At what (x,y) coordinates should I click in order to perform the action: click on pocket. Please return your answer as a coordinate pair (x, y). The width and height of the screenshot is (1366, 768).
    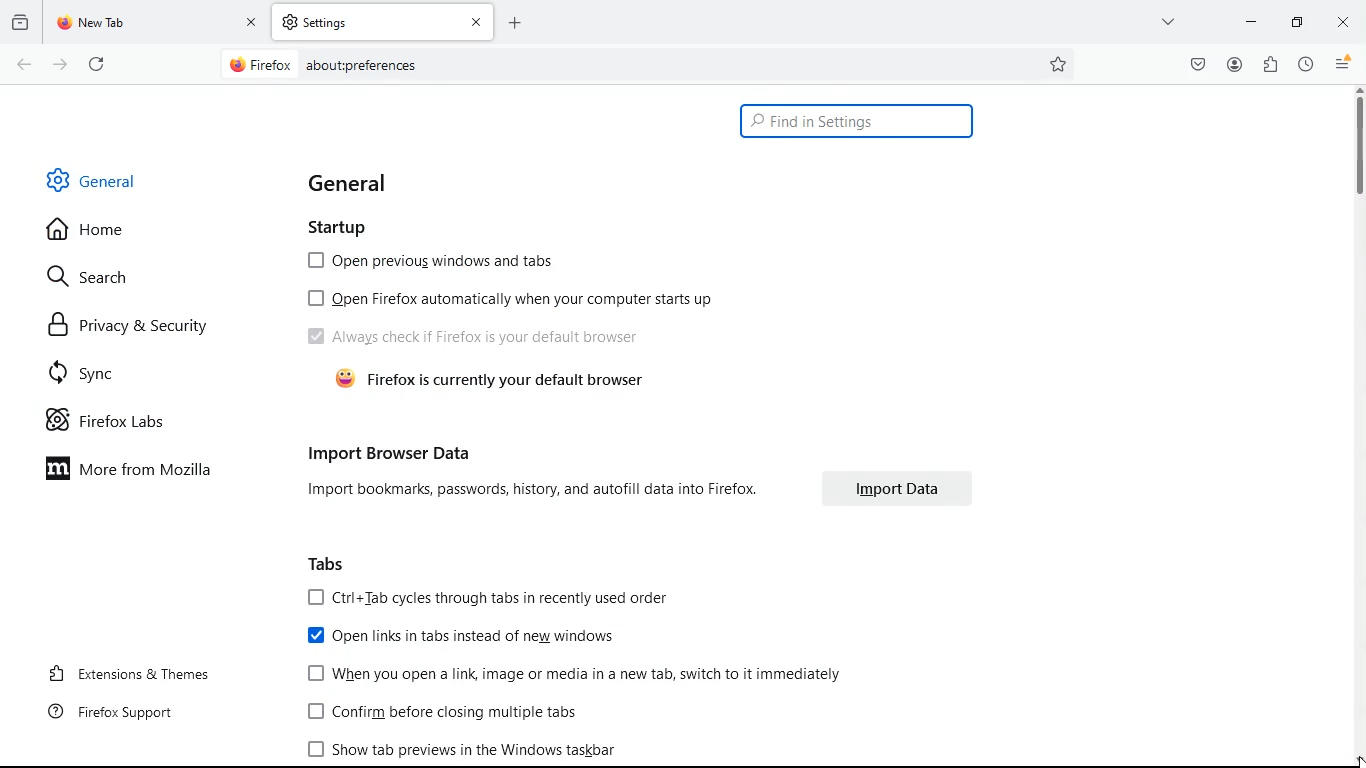
    Looking at the image, I should click on (1194, 65).